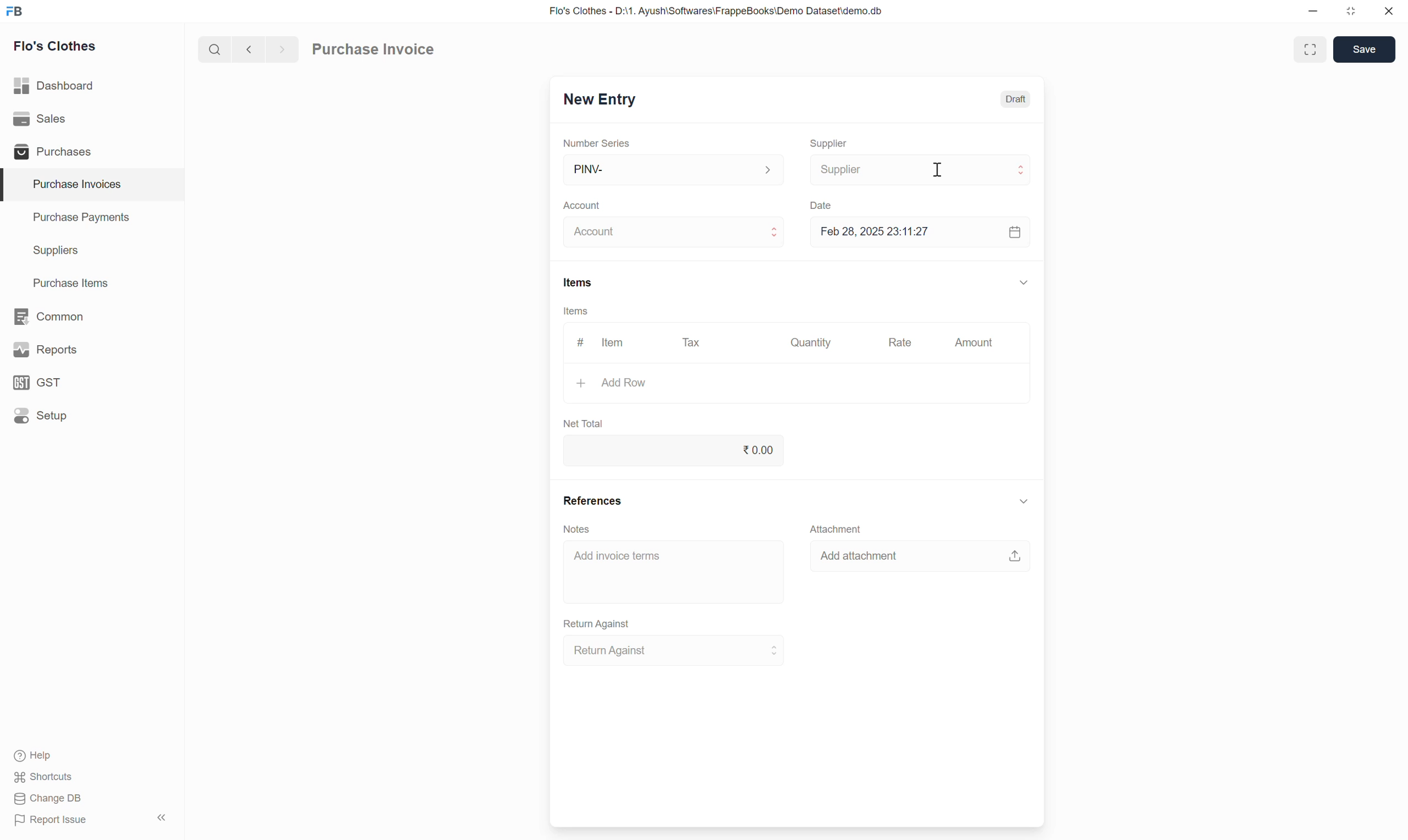 The height and width of the screenshot is (840, 1408). Describe the element at coordinates (1016, 99) in the screenshot. I see `Draft` at that location.